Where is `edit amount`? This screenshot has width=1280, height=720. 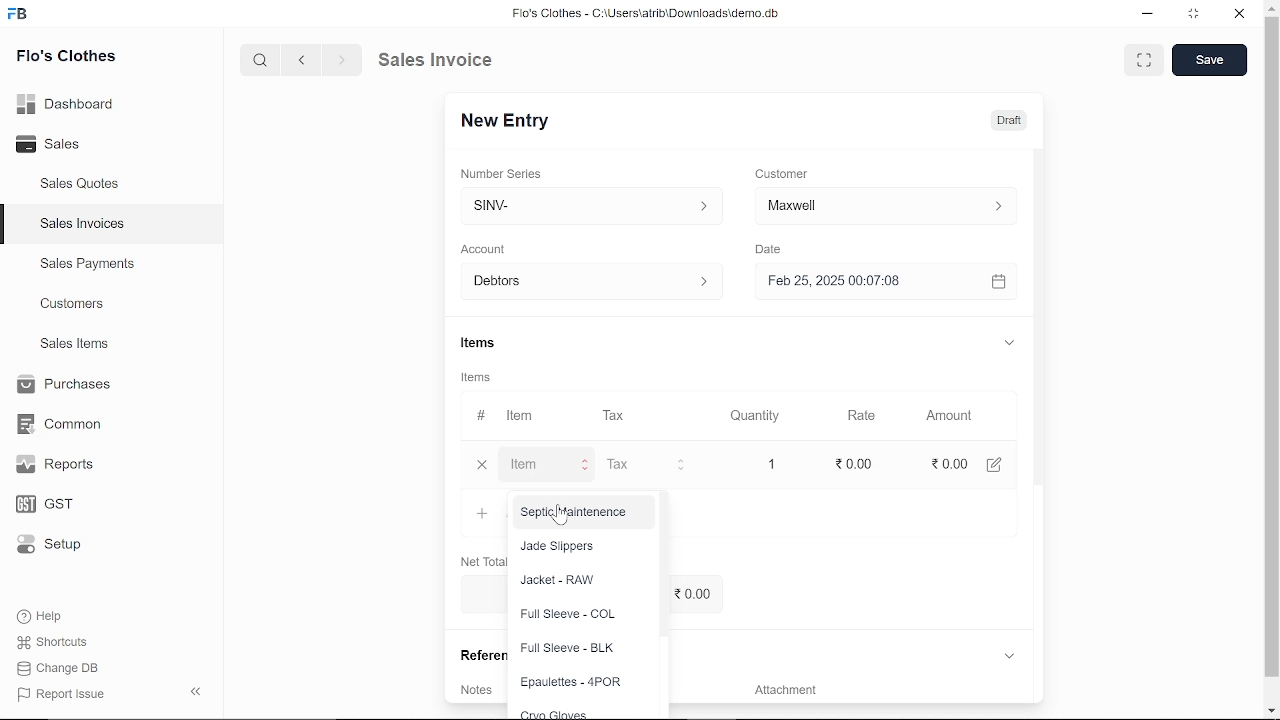
edit amount is located at coordinates (1003, 463).